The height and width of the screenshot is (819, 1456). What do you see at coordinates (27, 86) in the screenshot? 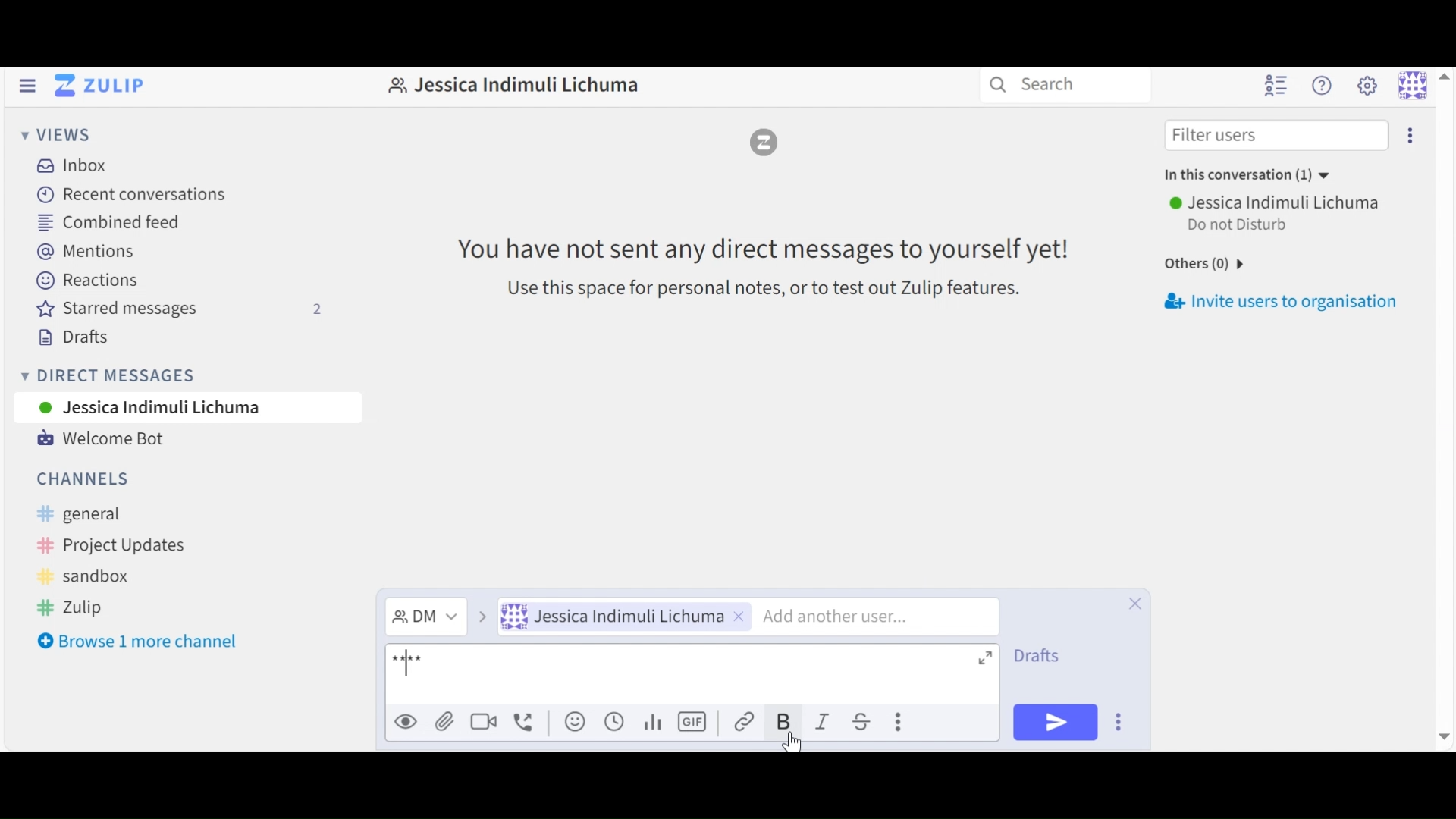
I see `Hide left Sidebar` at bounding box center [27, 86].